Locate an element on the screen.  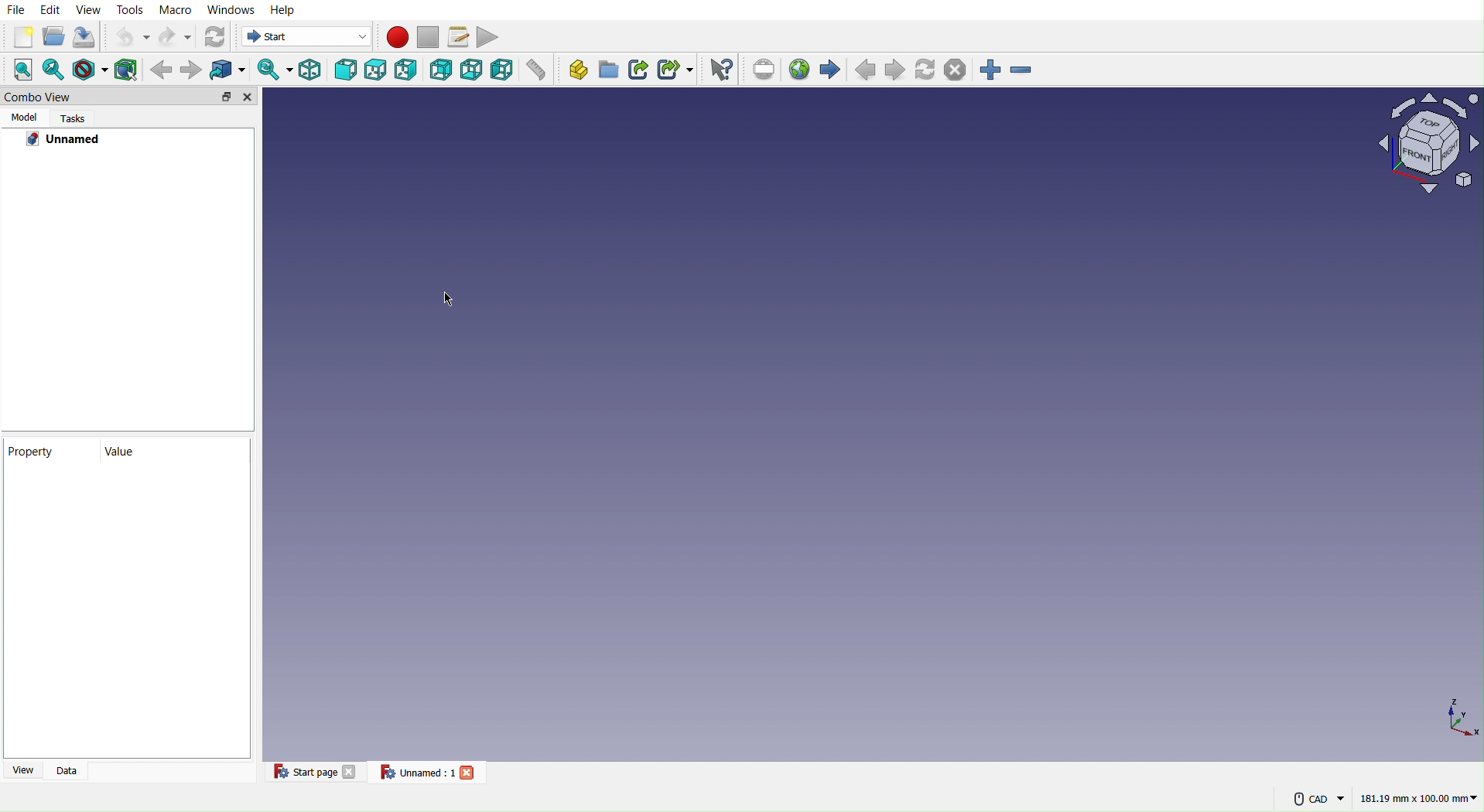
Refresh web page is located at coordinates (927, 68).